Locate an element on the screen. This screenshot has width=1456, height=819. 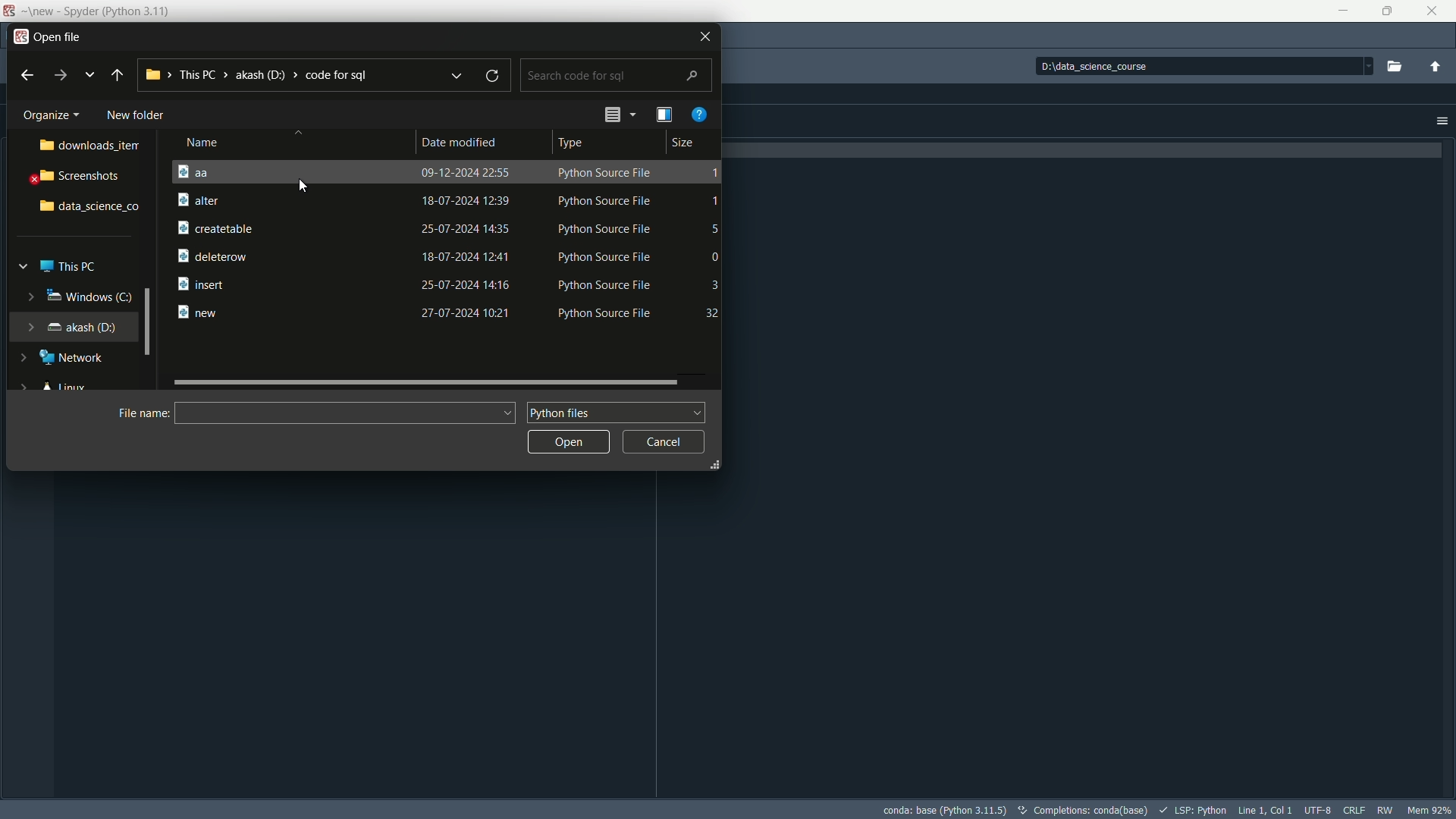
open is located at coordinates (570, 441).